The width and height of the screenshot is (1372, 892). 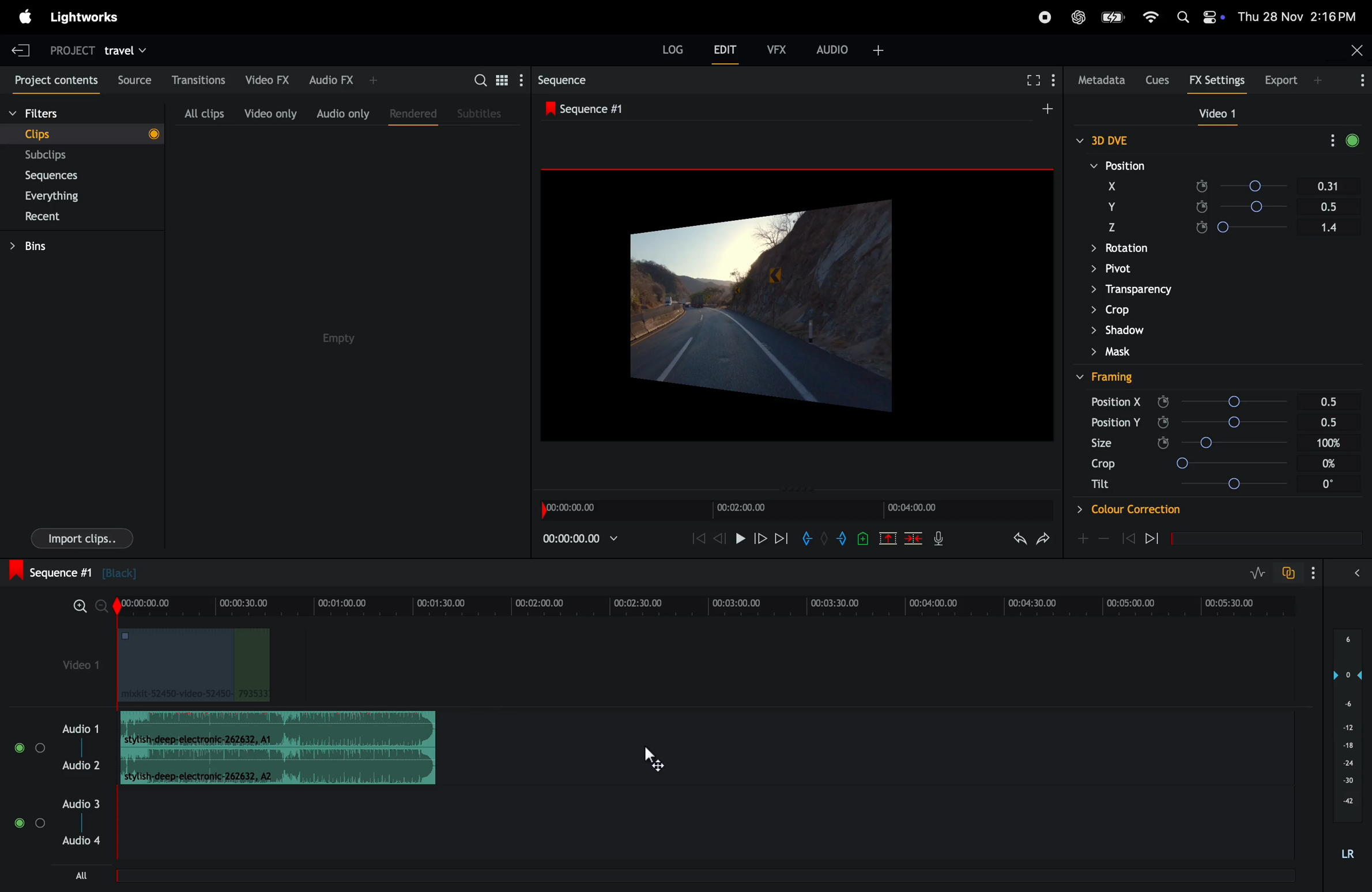 I want to click on wifi, so click(x=1148, y=17).